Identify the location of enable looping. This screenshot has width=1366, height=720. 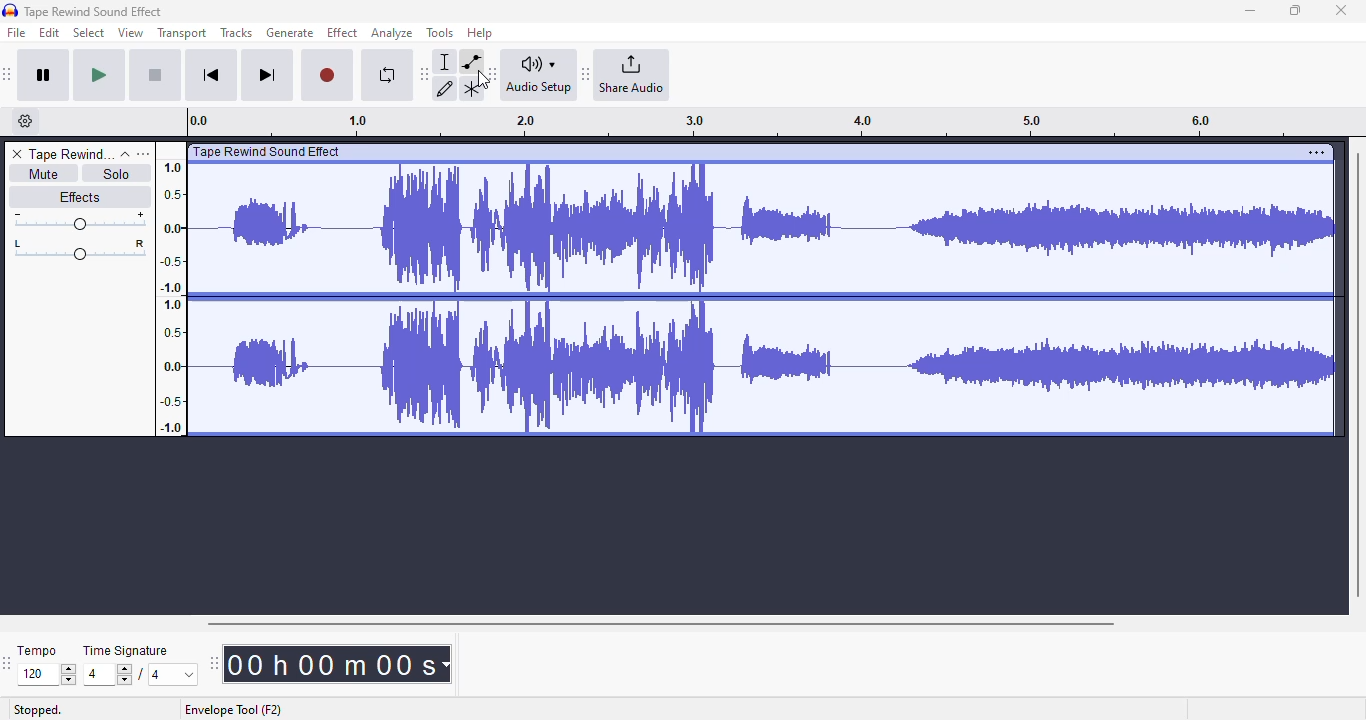
(386, 75).